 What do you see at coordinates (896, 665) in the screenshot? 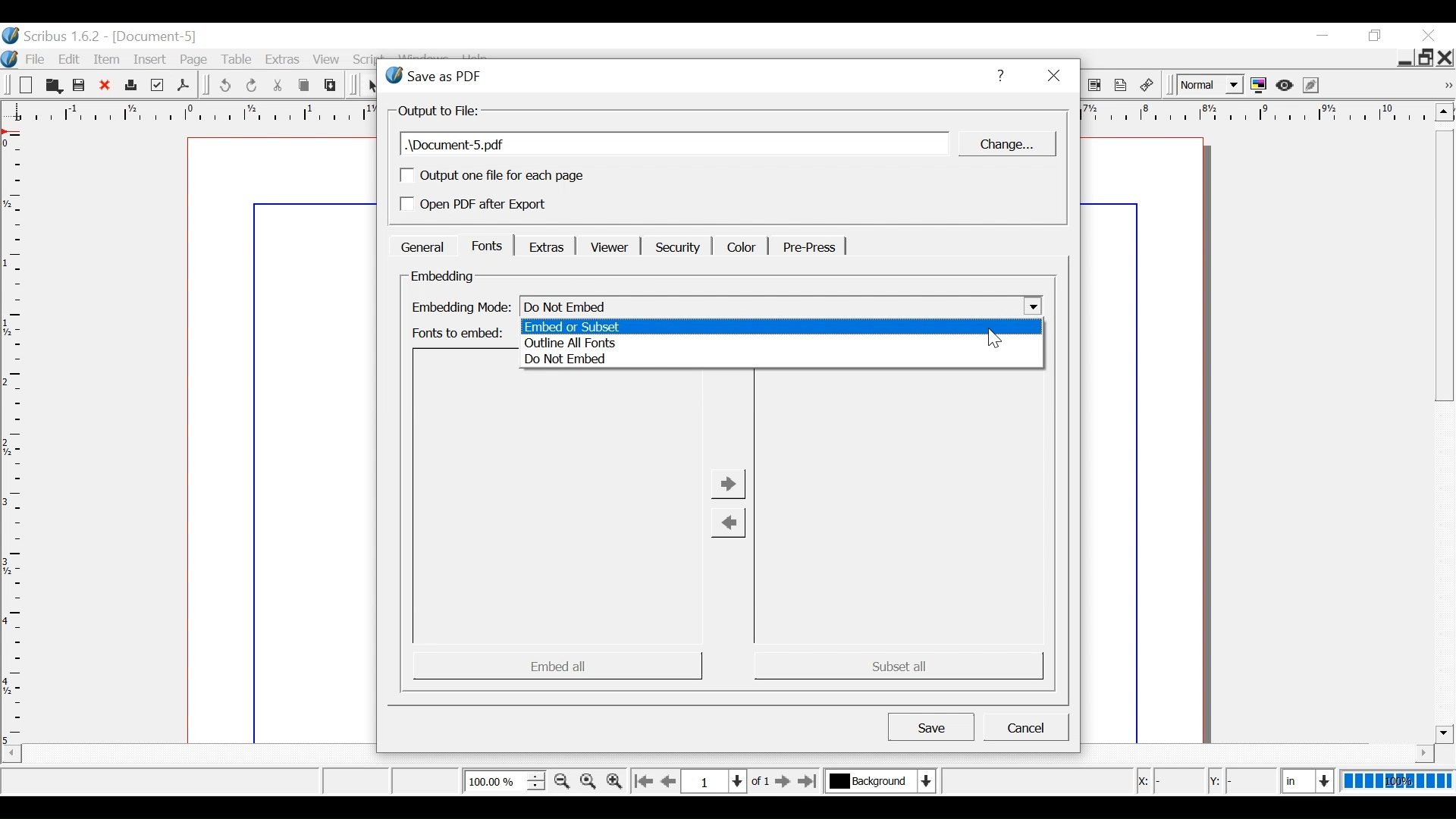
I see `Subset all` at bounding box center [896, 665].